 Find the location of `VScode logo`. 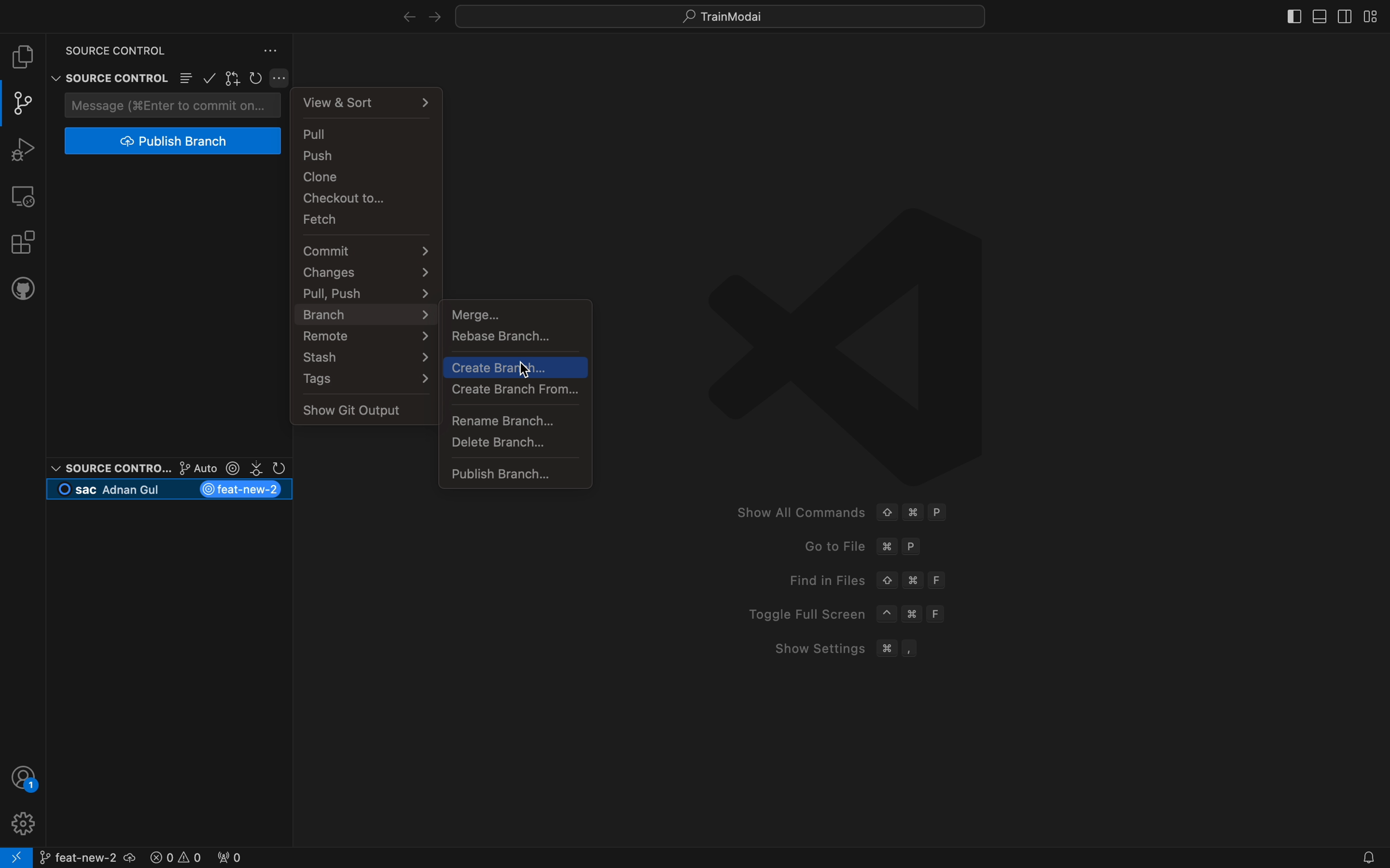

VScode logo is located at coordinates (841, 343).